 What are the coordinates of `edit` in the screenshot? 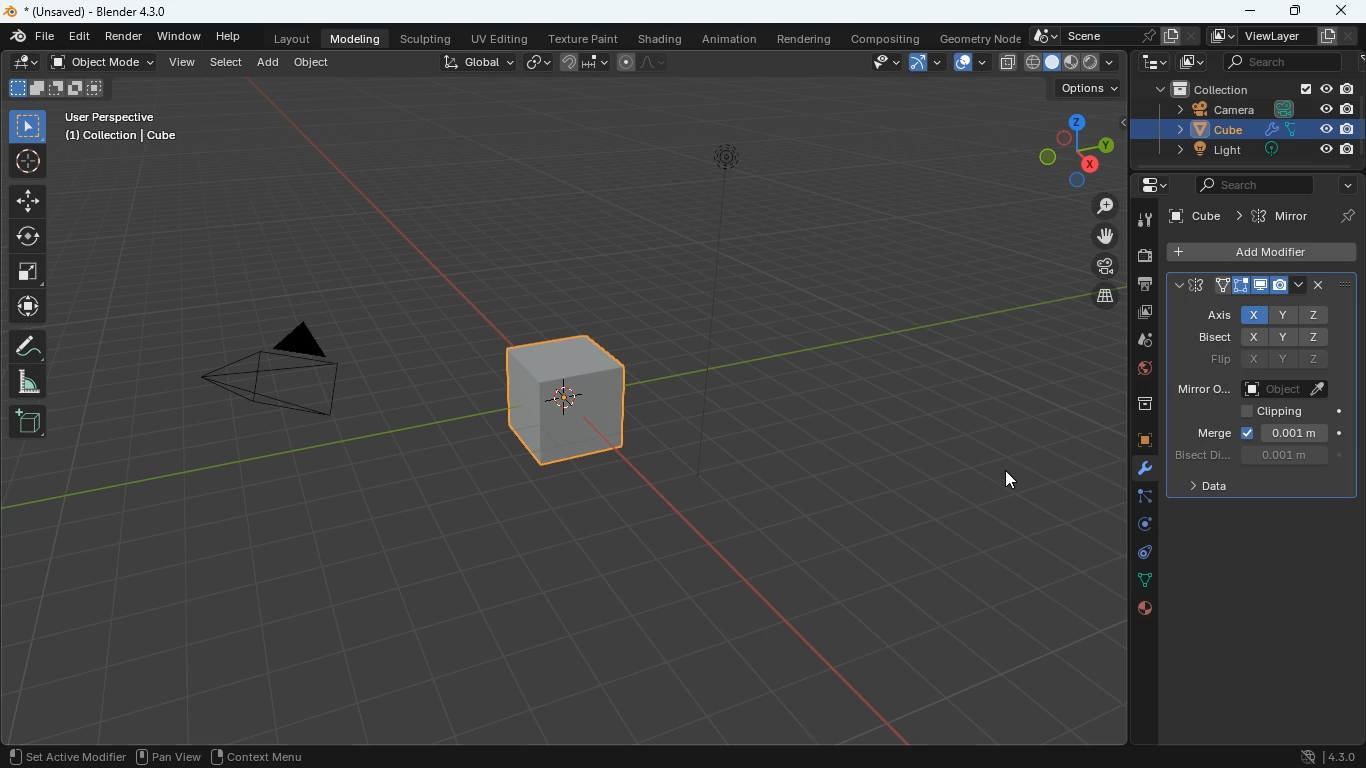 It's located at (22, 63).